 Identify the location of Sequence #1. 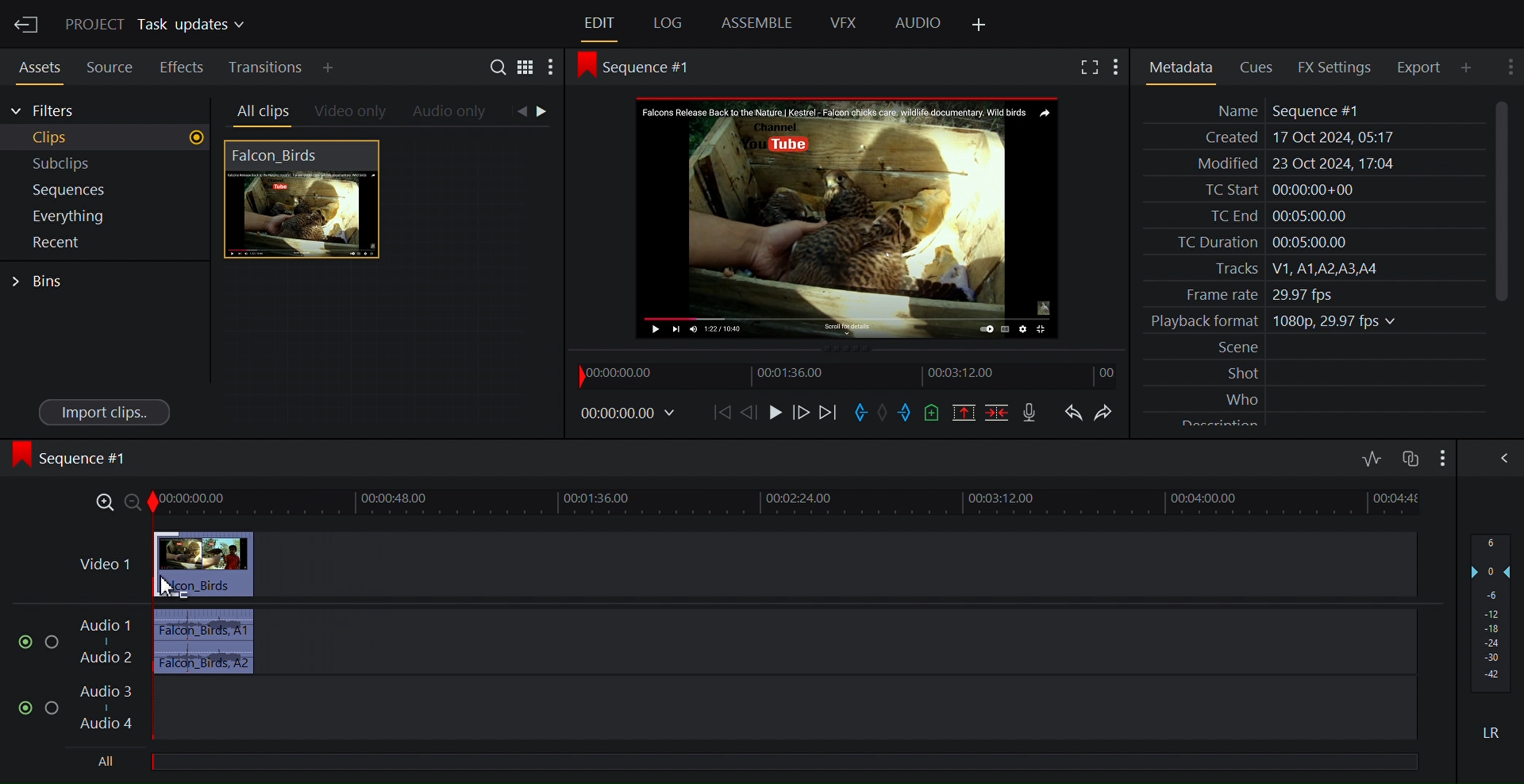
(75, 458).